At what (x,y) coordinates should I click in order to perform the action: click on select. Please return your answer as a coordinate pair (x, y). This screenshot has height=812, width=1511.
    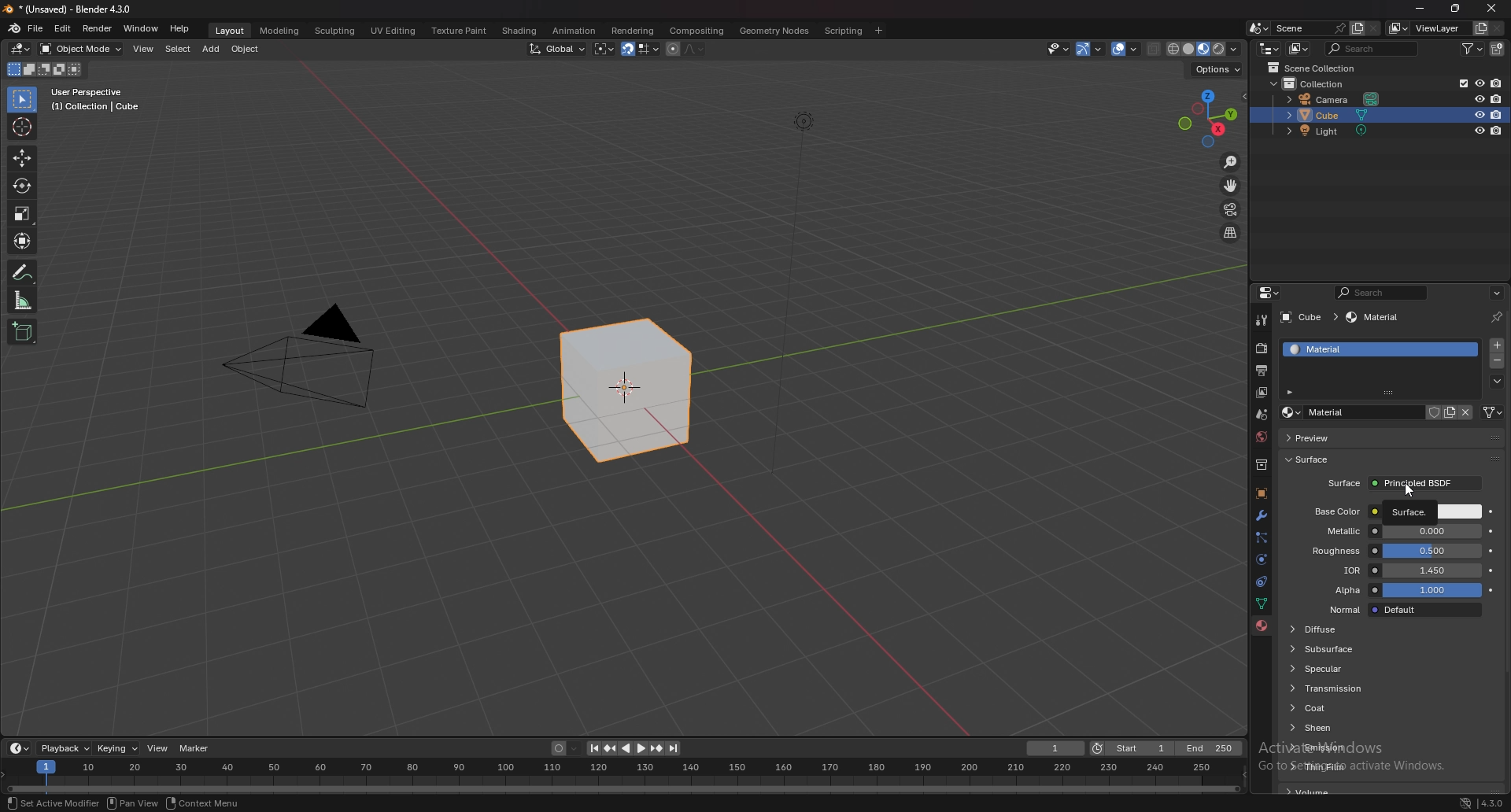
    Looking at the image, I should click on (178, 50).